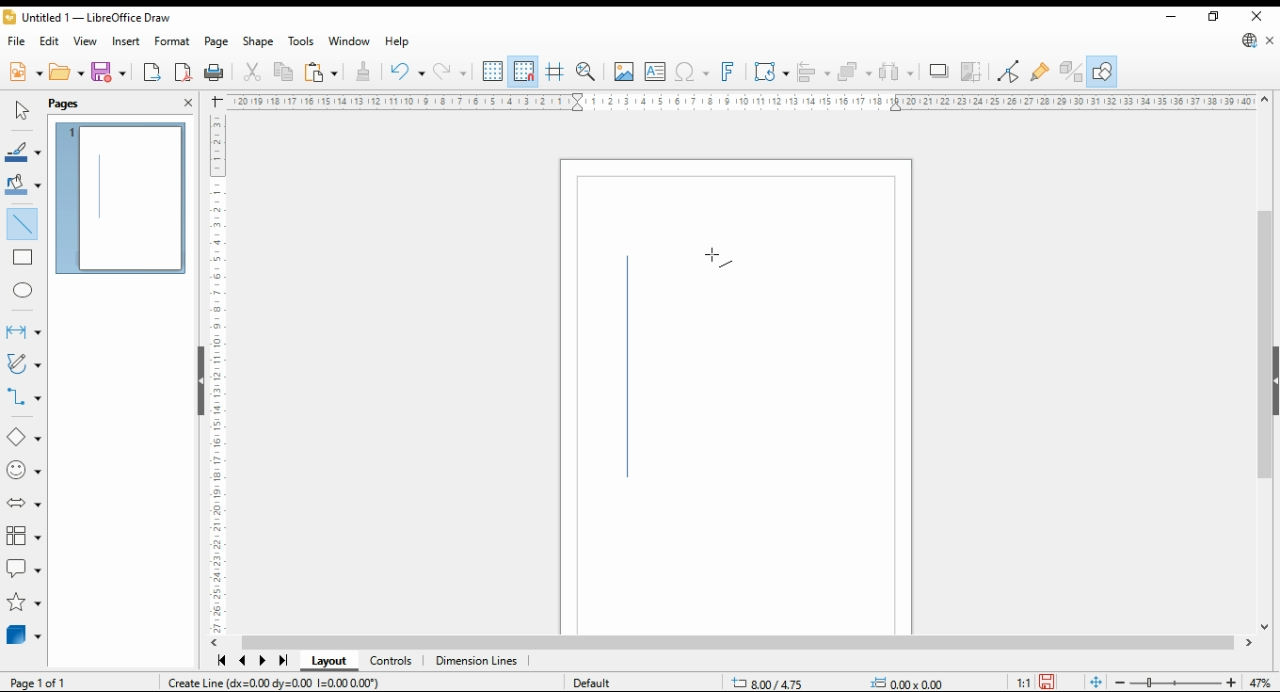 This screenshot has height=692, width=1280. Describe the element at coordinates (328, 662) in the screenshot. I see `layout` at that location.